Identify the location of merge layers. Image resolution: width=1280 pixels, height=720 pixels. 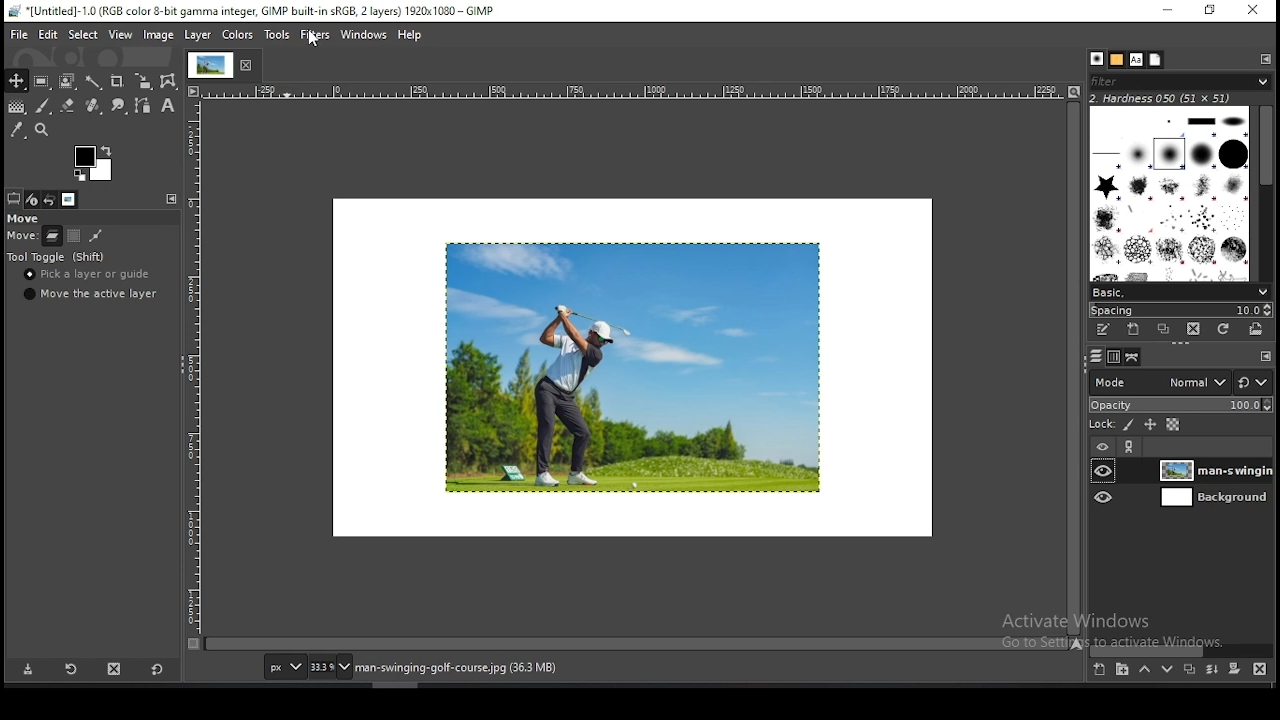
(1210, 669).